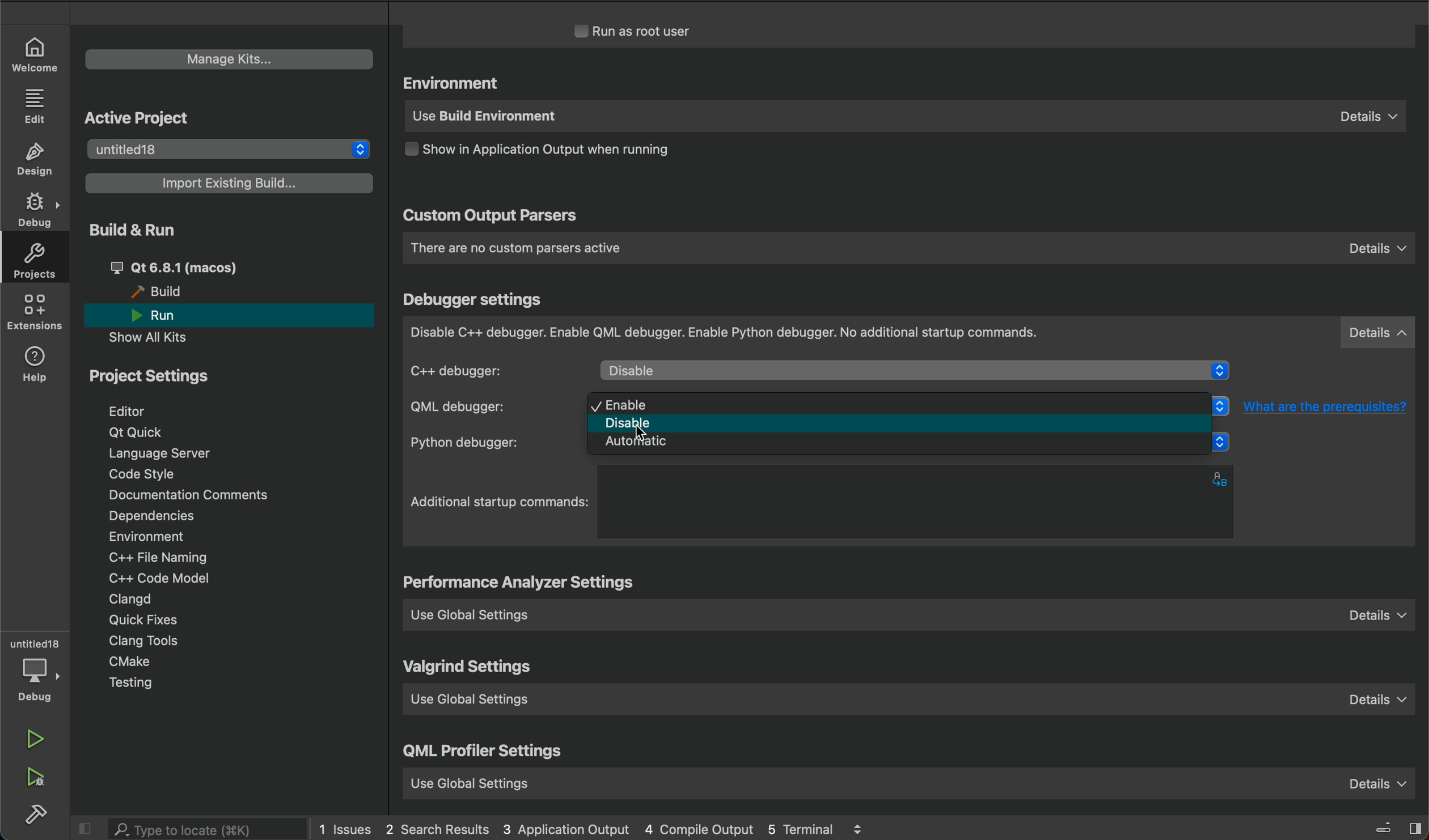 The height and width of the screenshot is (840, 1429). What do you see at coordinates (40, 264) in the screenshot?
I see `projects` at bounding box center [40, 264].